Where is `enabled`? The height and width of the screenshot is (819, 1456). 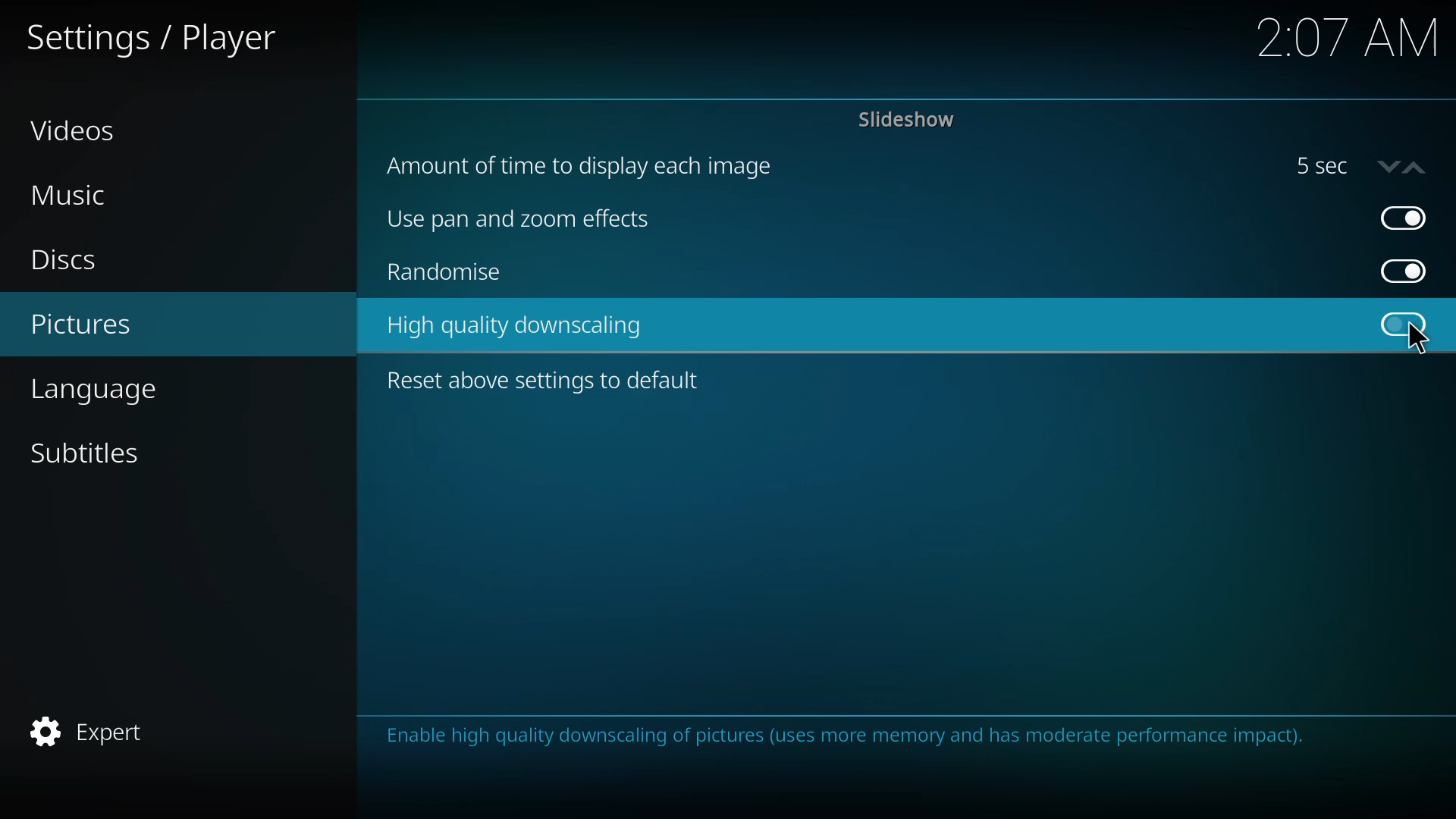 enabled is located at coordinates (1404, 217).